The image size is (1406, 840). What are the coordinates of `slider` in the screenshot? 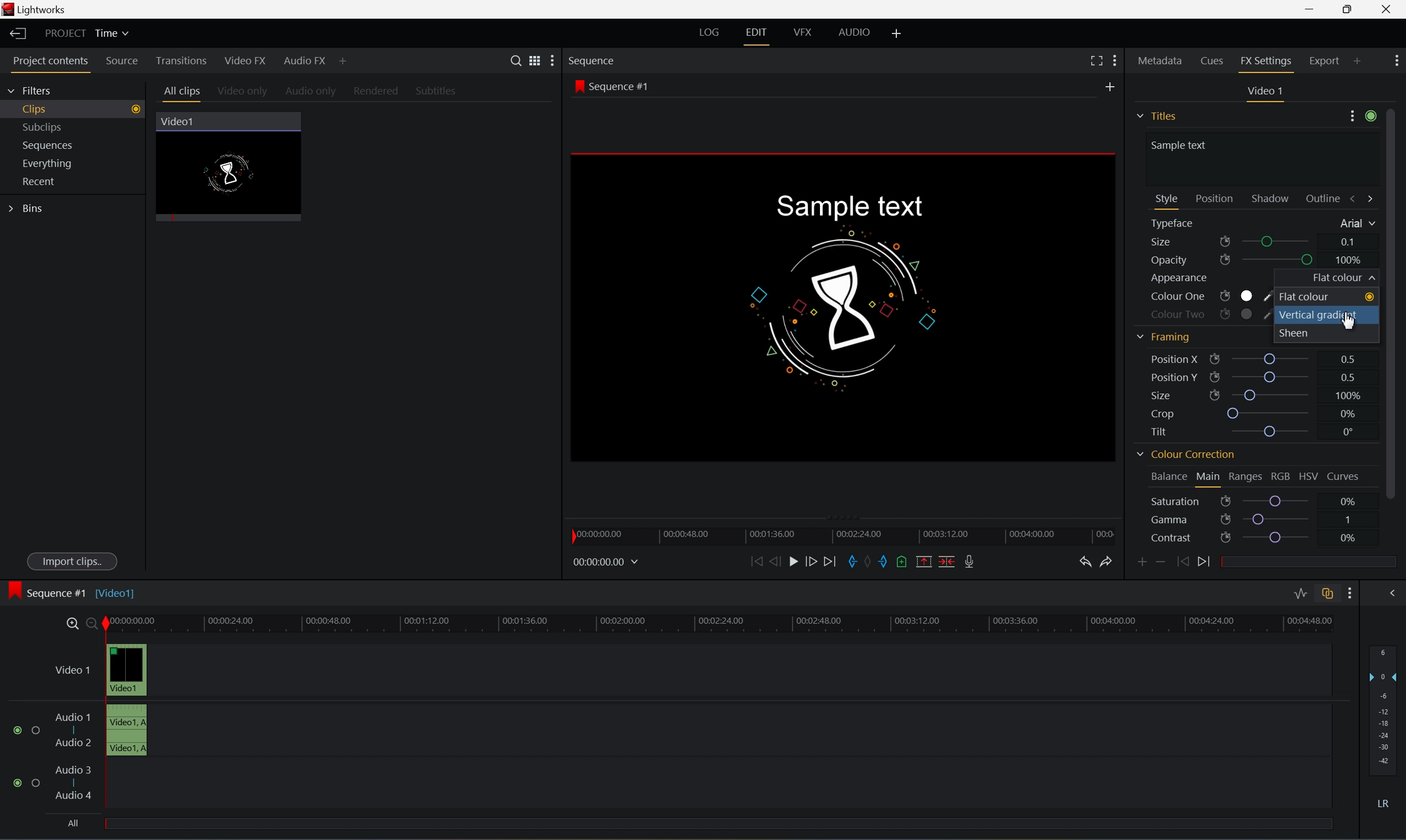 It's located at (1277, 518).